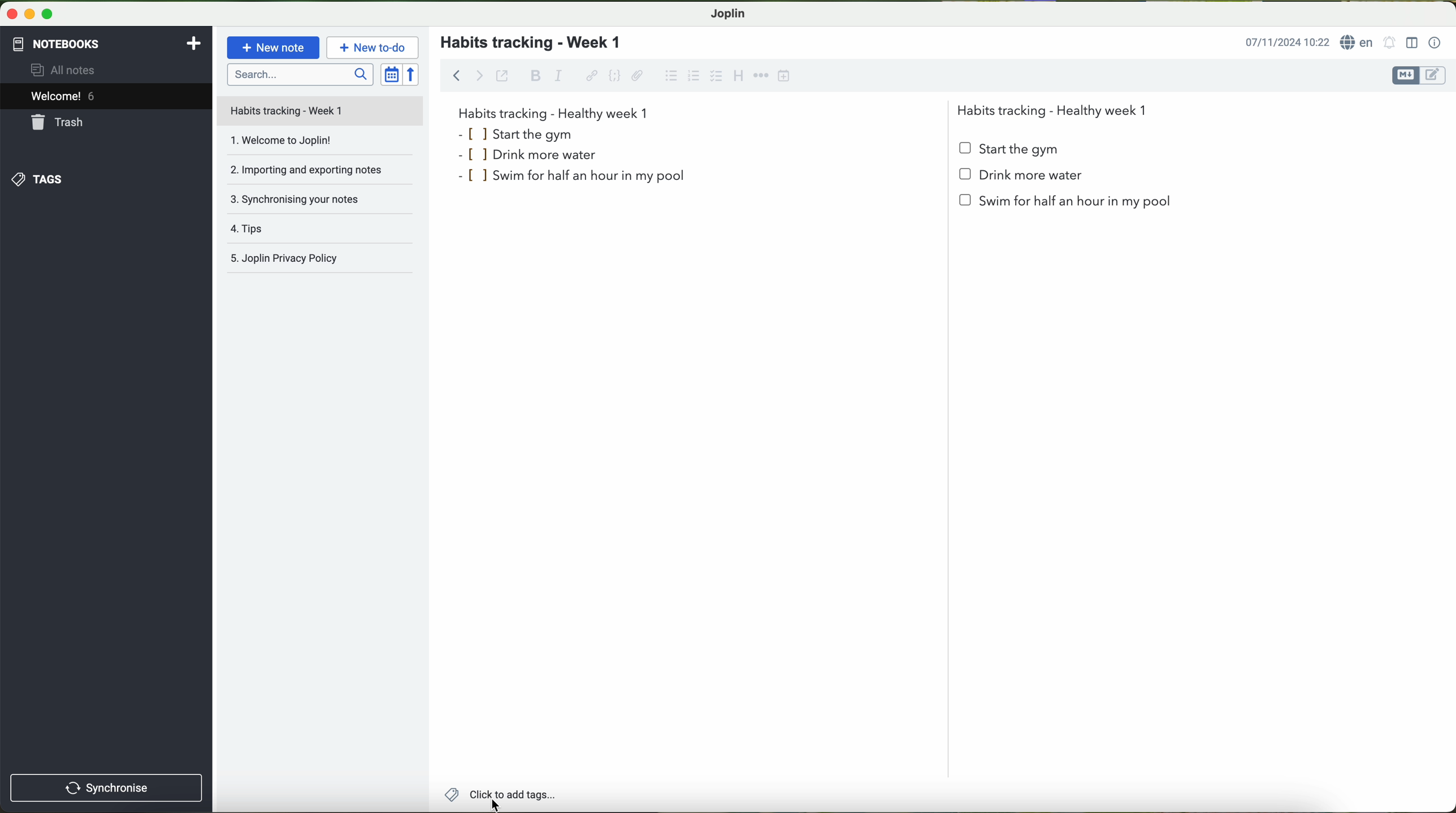  I want to click on Drink more water, so click(1021, 179).